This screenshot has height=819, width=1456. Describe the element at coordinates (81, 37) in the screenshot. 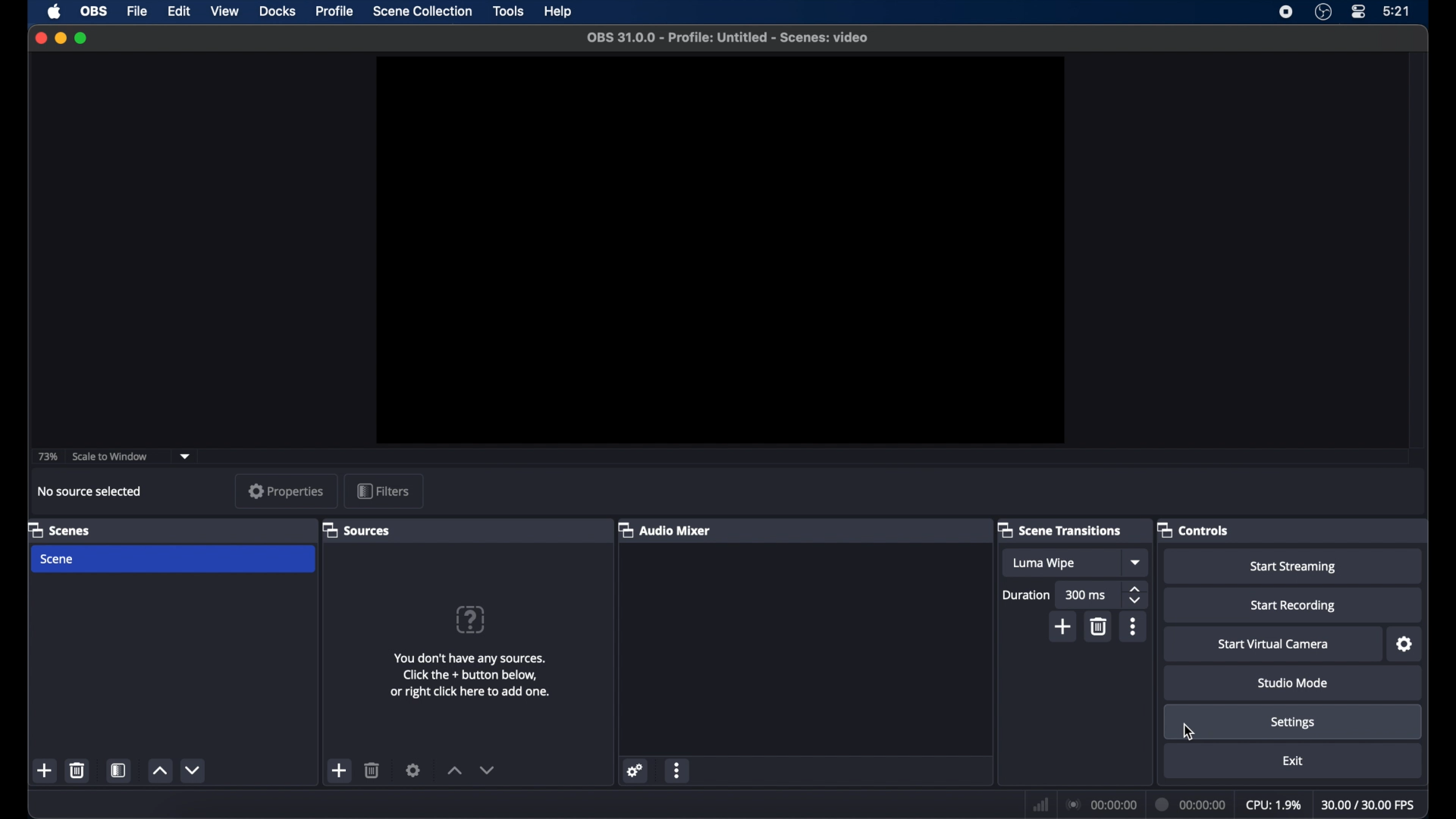

I see `maximize` at that location.